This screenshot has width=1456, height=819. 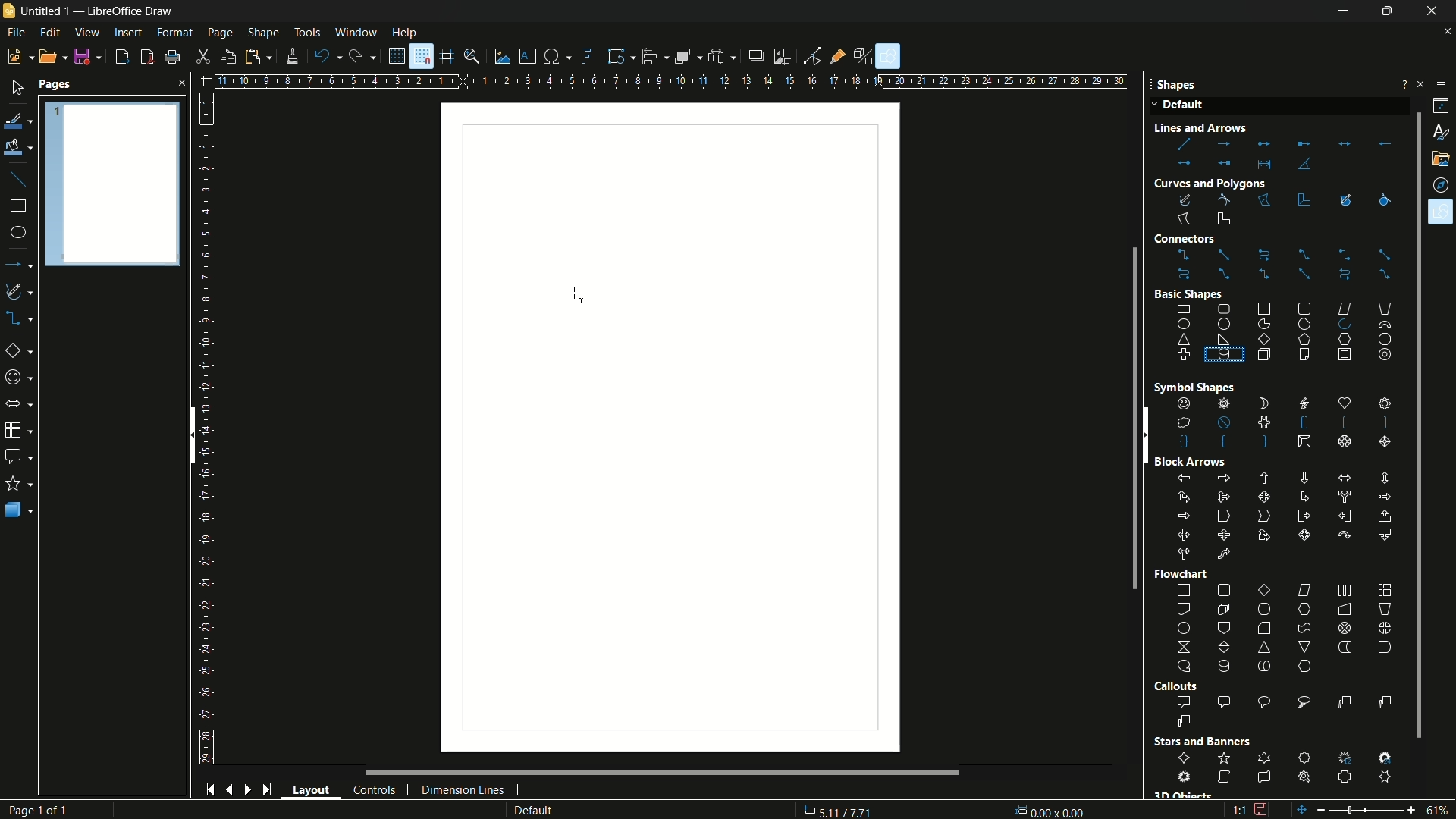 I want to click on paste, so click(x=262, y=56).